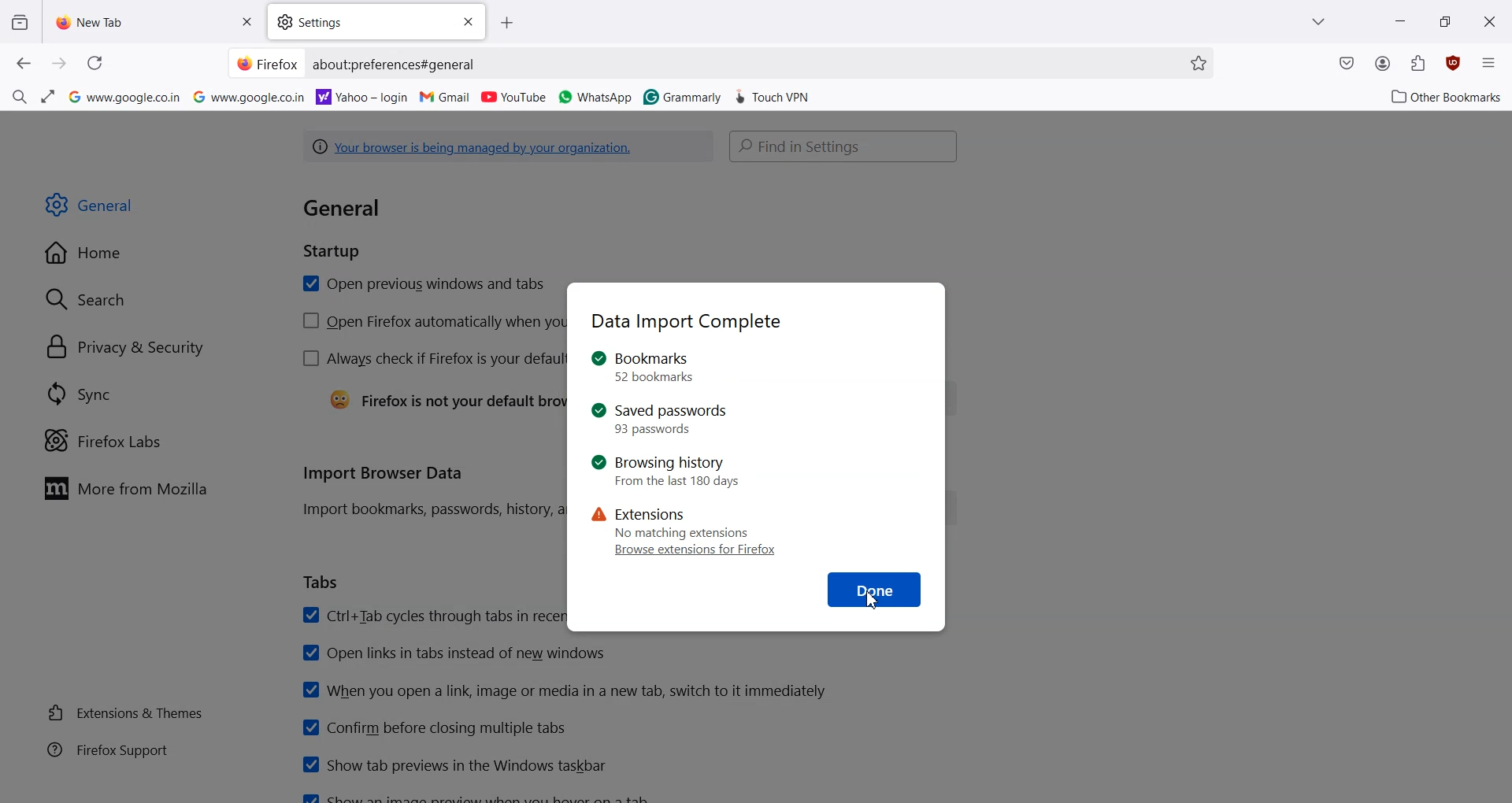  What do you see at coordinates (24, 64) in the screenshot?
I see `Go back to one page ` at bounding box center [24, 64].